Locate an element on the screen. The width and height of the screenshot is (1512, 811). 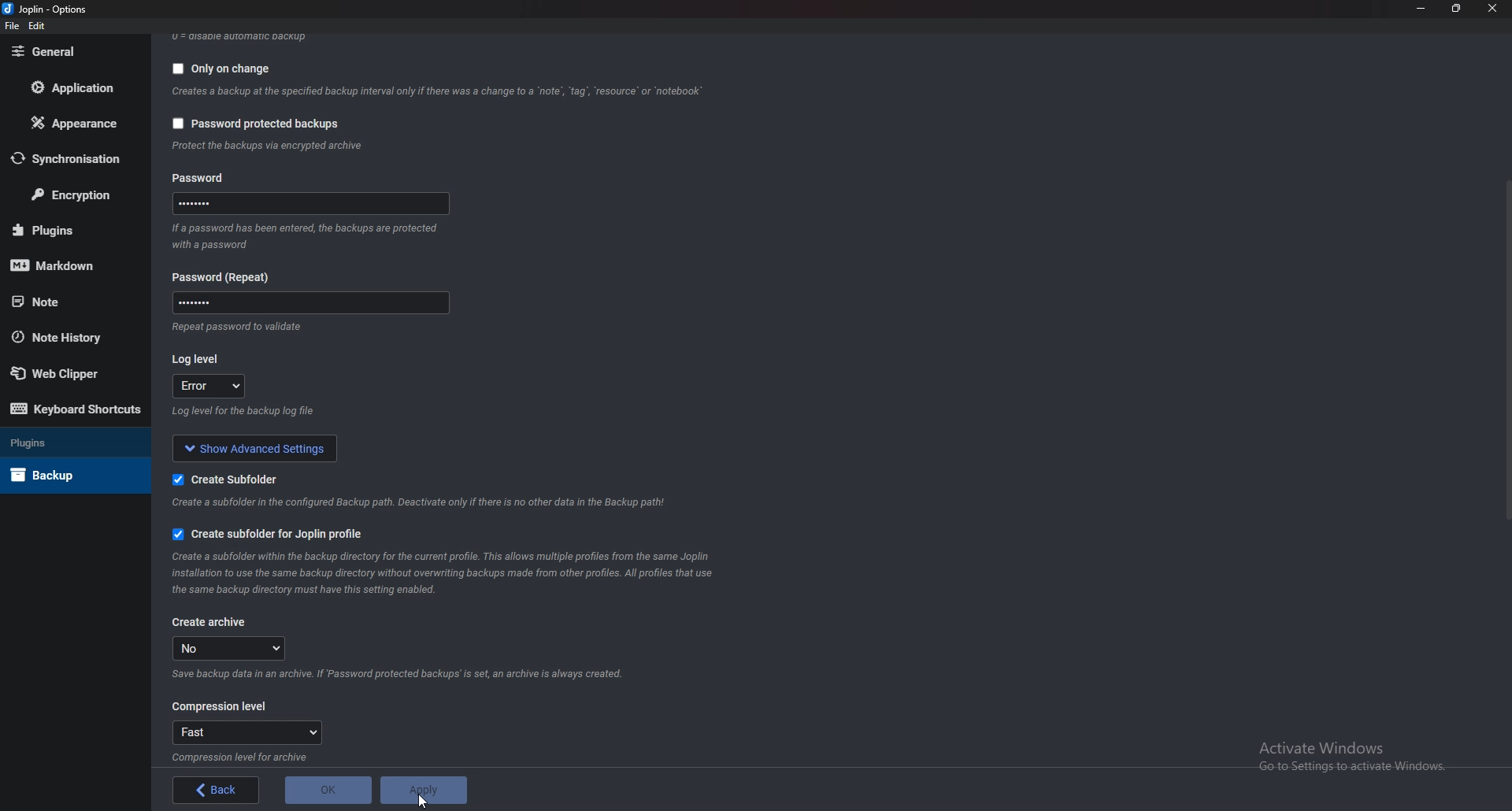
Plugins is located at coordinates (61, 442).